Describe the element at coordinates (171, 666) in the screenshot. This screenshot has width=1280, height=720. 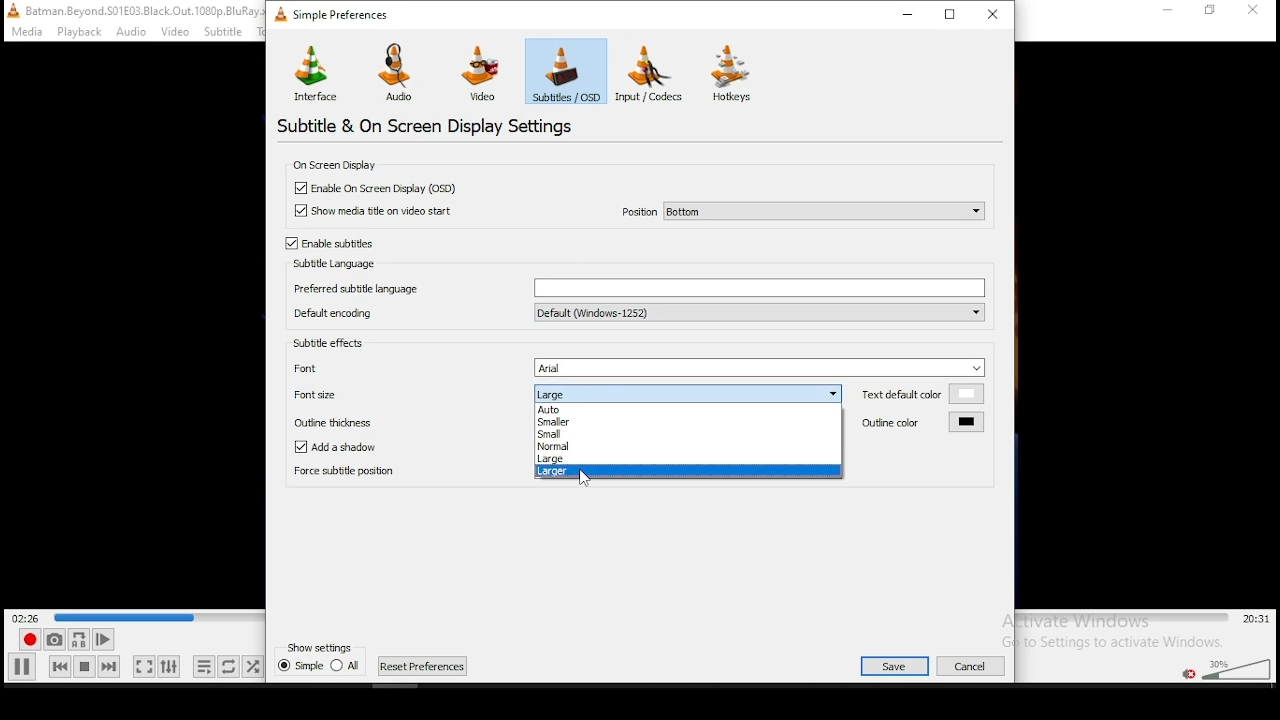
I see `show extended settings` at that location.